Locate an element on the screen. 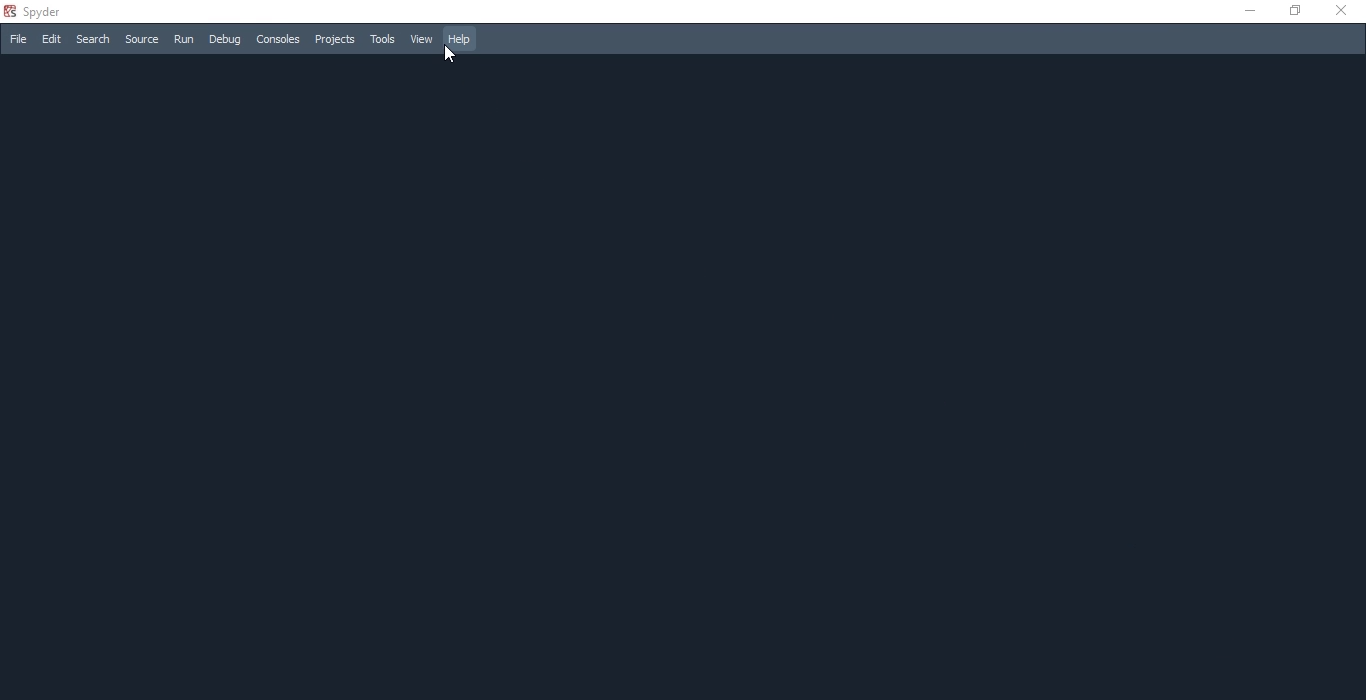 The width and height of the screenshot is (1366, 700). Debug is located at coordinates (223, 39).